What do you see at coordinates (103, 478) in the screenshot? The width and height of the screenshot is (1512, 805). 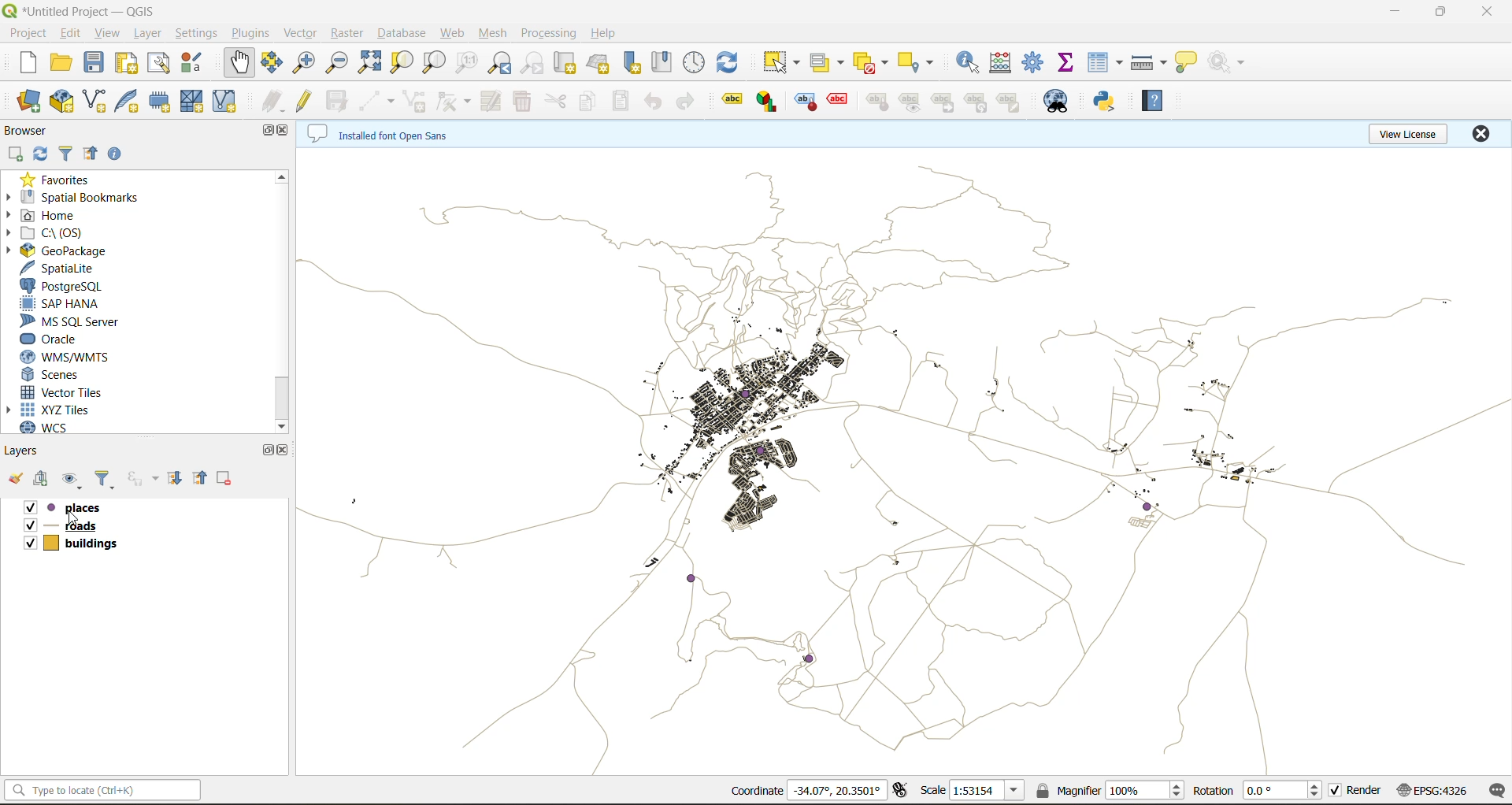 I see `filter` at bounding box center [103, 478].